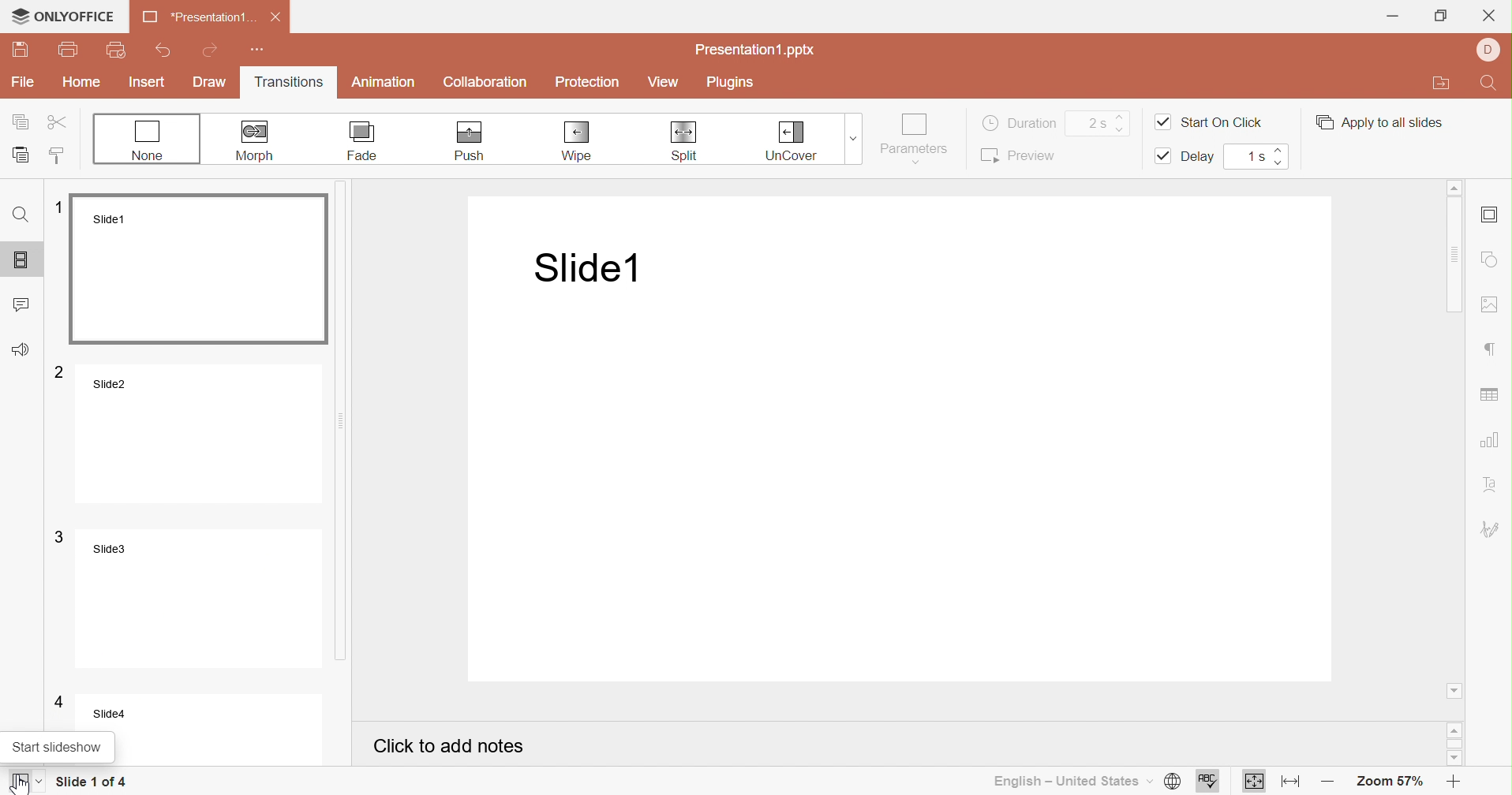 The width and height of the screenshot is (1512, 795). Describe the element at coordinates (196, 18) in the screenshot. I see `*Presentation1 ...` at that location.